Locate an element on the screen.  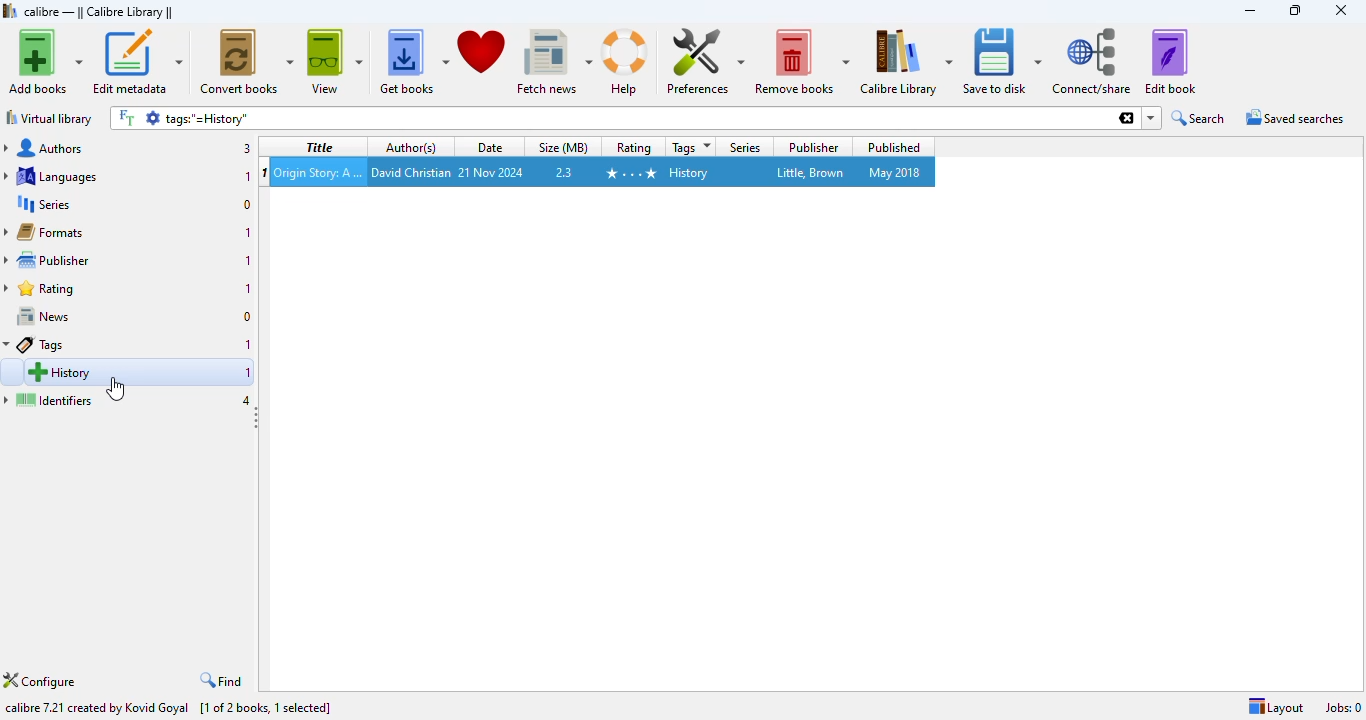
donate to support calibre is located at coordinates (482, 53).